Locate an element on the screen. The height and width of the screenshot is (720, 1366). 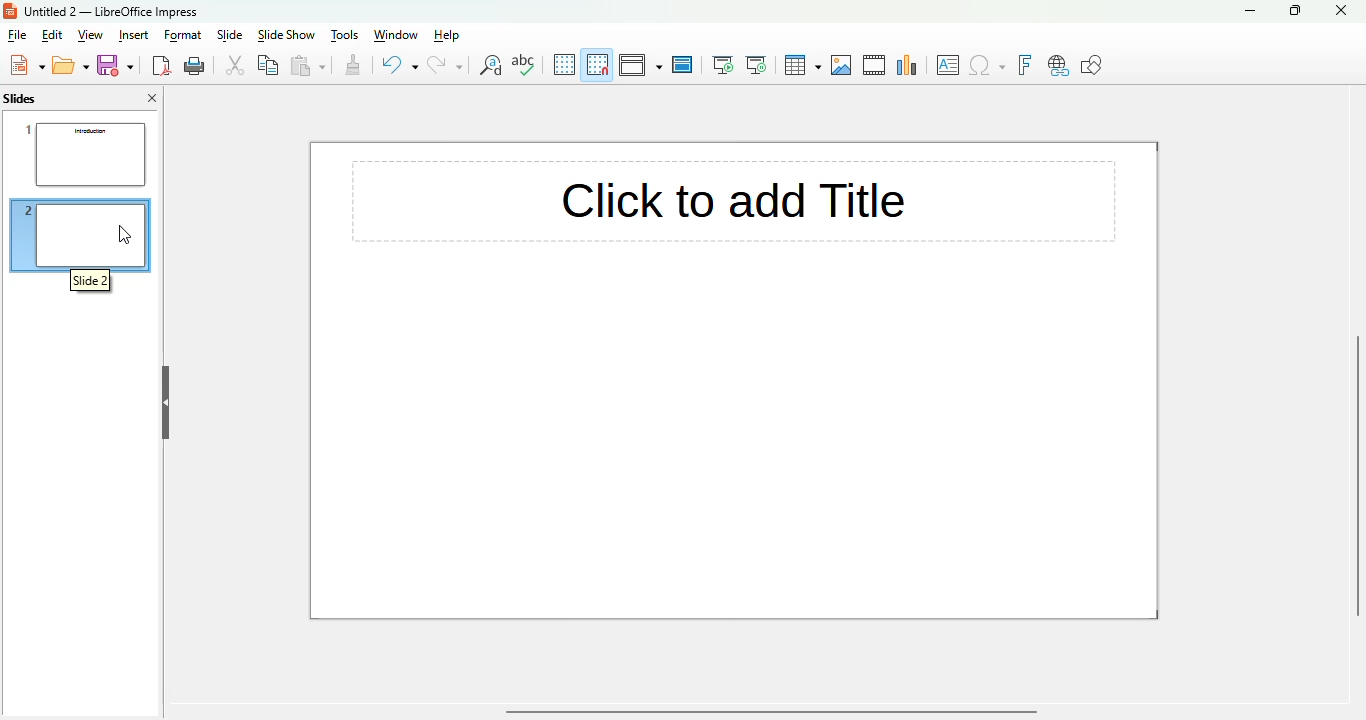
display views is located at coordinates (641, 64).